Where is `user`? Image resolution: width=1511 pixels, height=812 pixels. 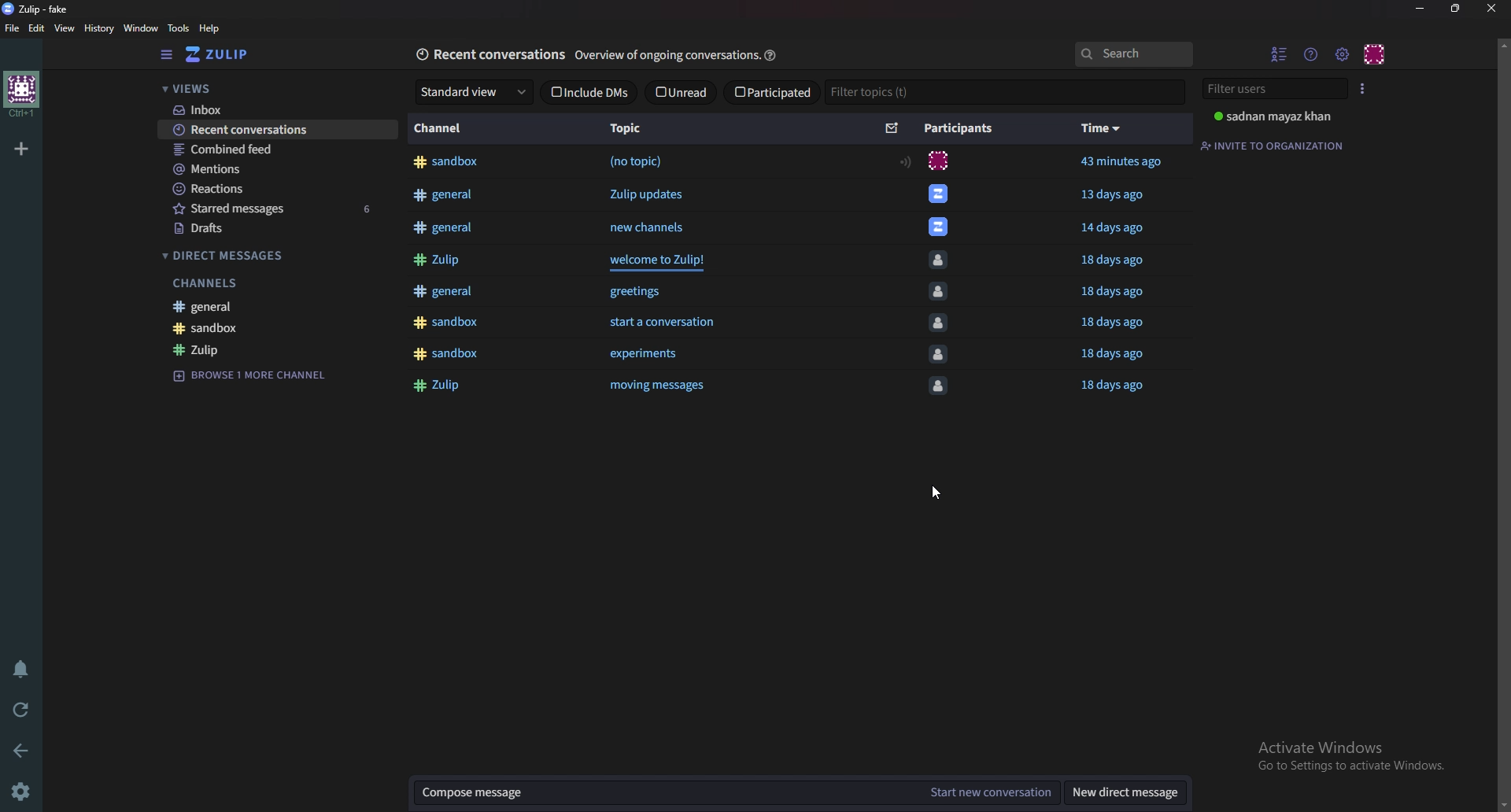
user is located at coordinates (1272, 116).